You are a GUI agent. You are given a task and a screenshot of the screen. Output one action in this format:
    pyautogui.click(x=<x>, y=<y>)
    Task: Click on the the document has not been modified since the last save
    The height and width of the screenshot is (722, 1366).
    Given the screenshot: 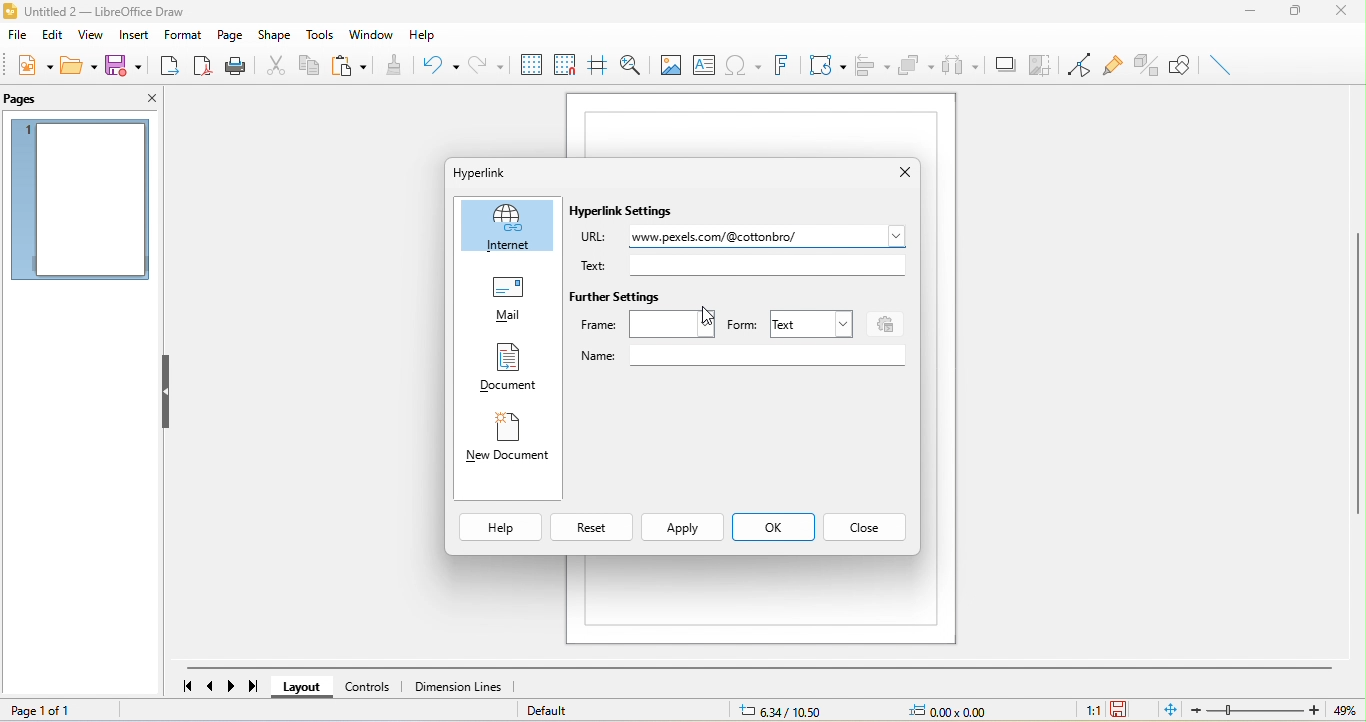 What is the action you would take?
    pyautogui.click(x=1131, y=711)
    